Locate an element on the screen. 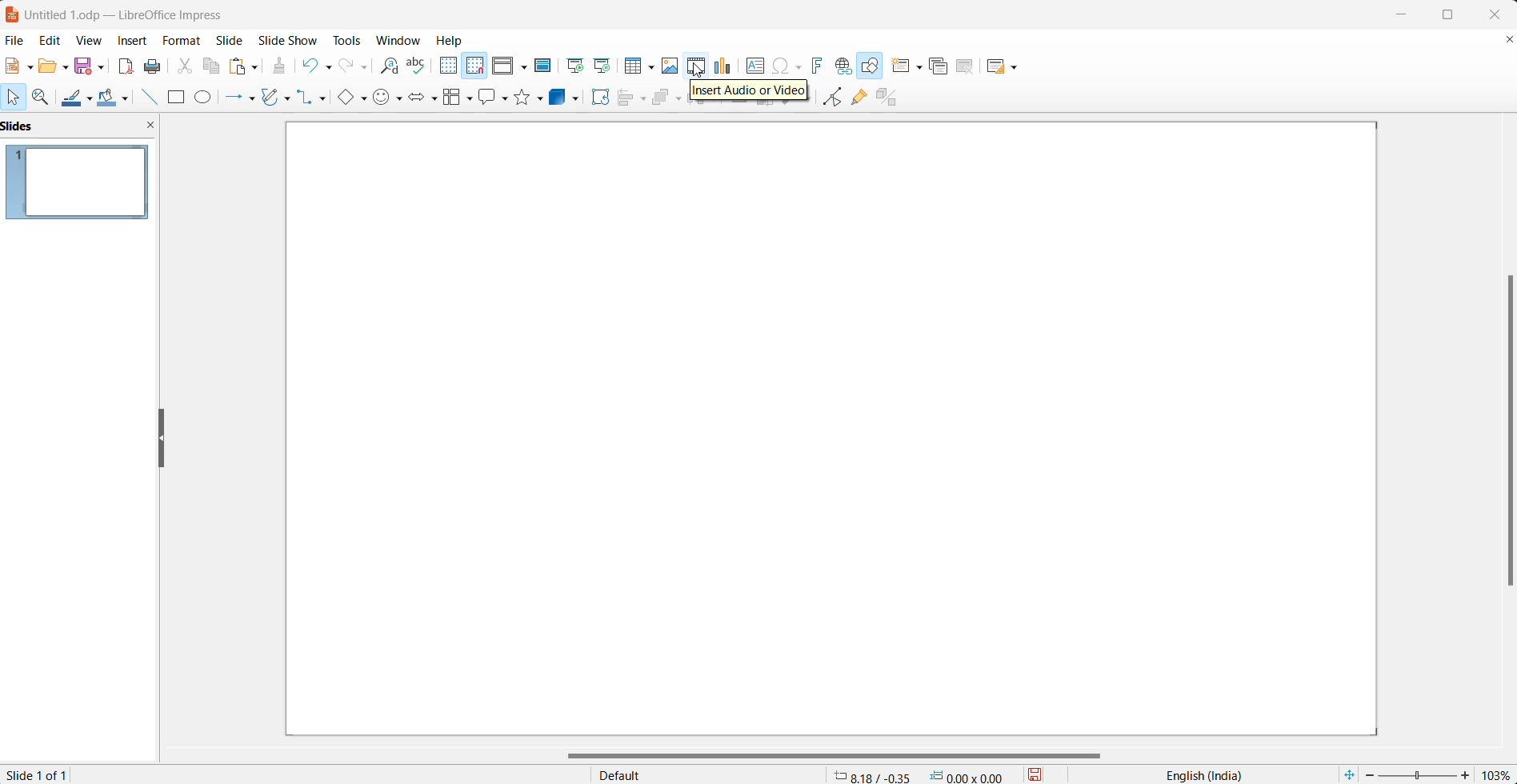 This screenshot has height=784, width=1517. rectangle is located at coordinates (177, 98).